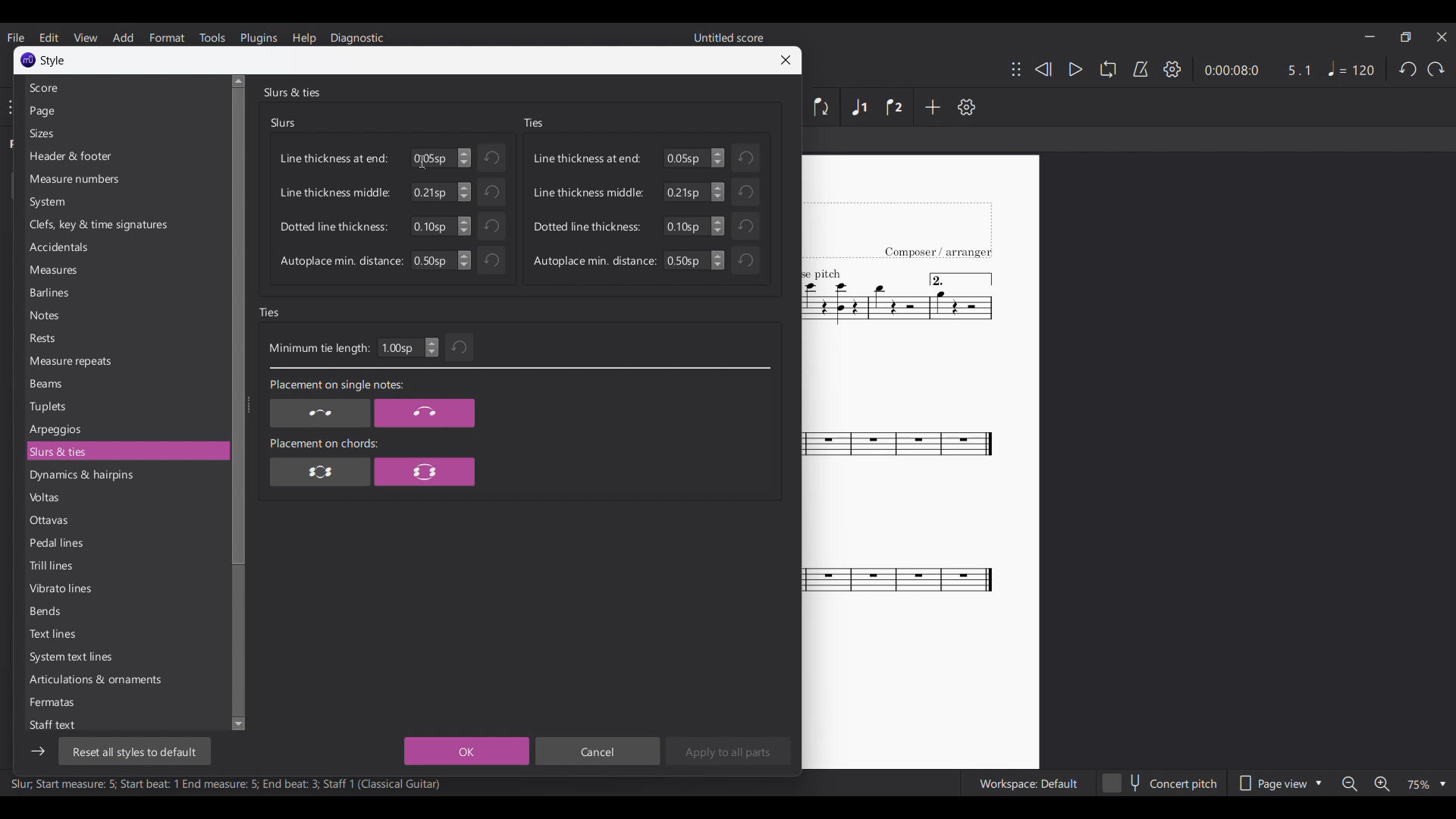 This screenshot has width=1456, height=819. Describe the element at coordinates (729, 37) in the screenshot. I see `Untitled score` at that location.